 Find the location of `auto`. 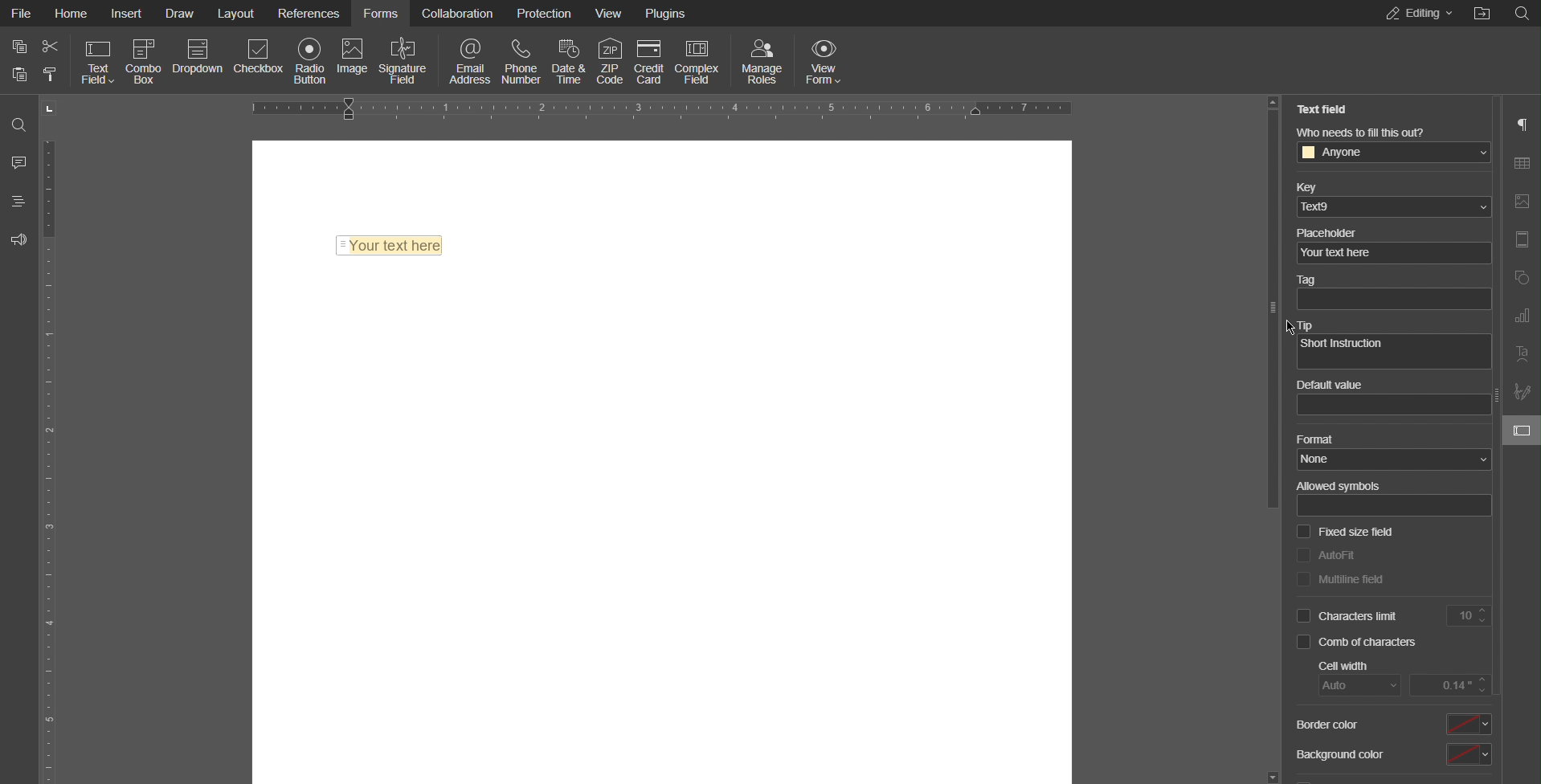

auto is located at coordinates (1363, 685).